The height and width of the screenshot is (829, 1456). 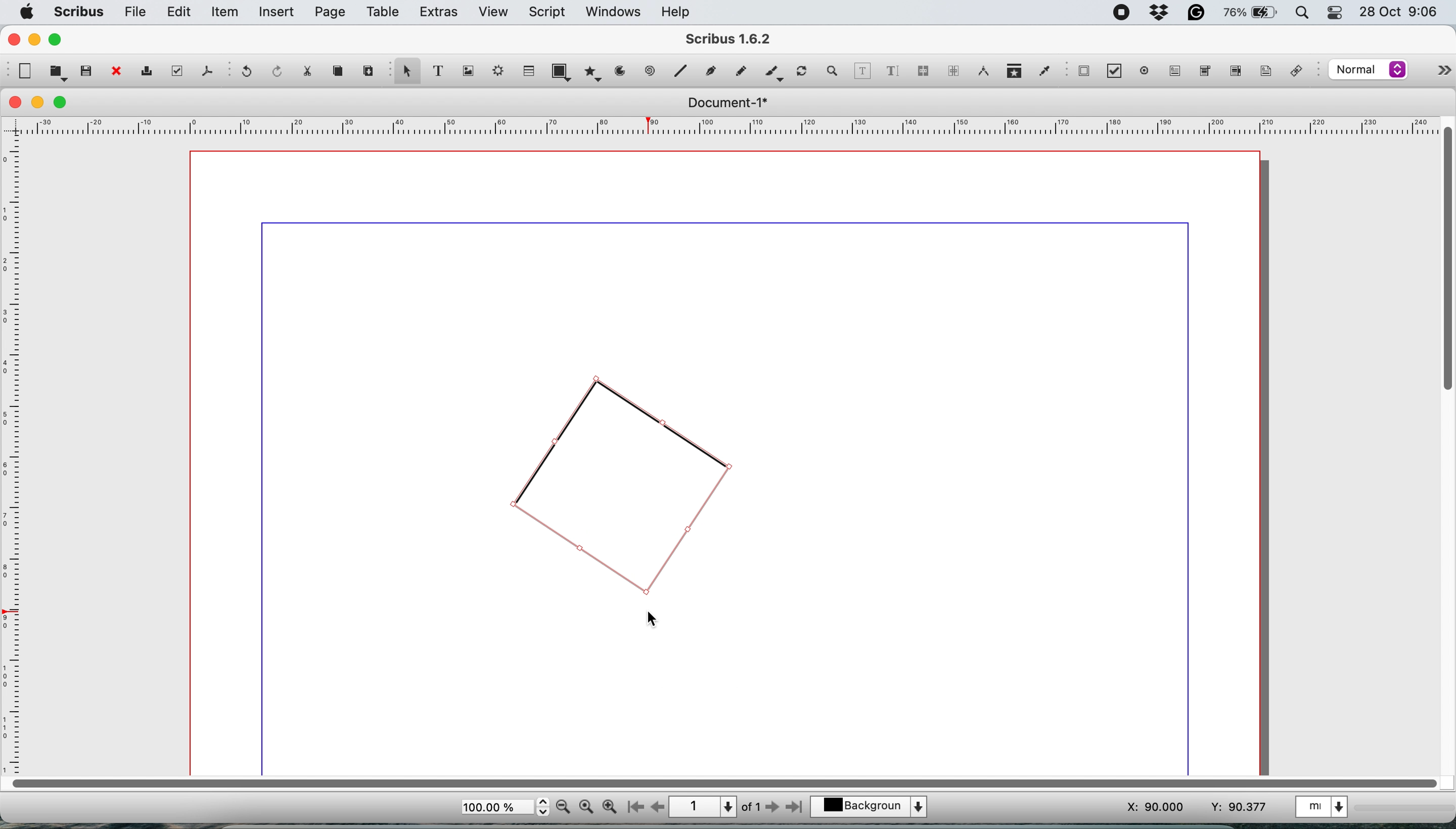 What do you see at coordinates (650, 72) in the screenshot?
I see `line` at bounding box center [650, 72].